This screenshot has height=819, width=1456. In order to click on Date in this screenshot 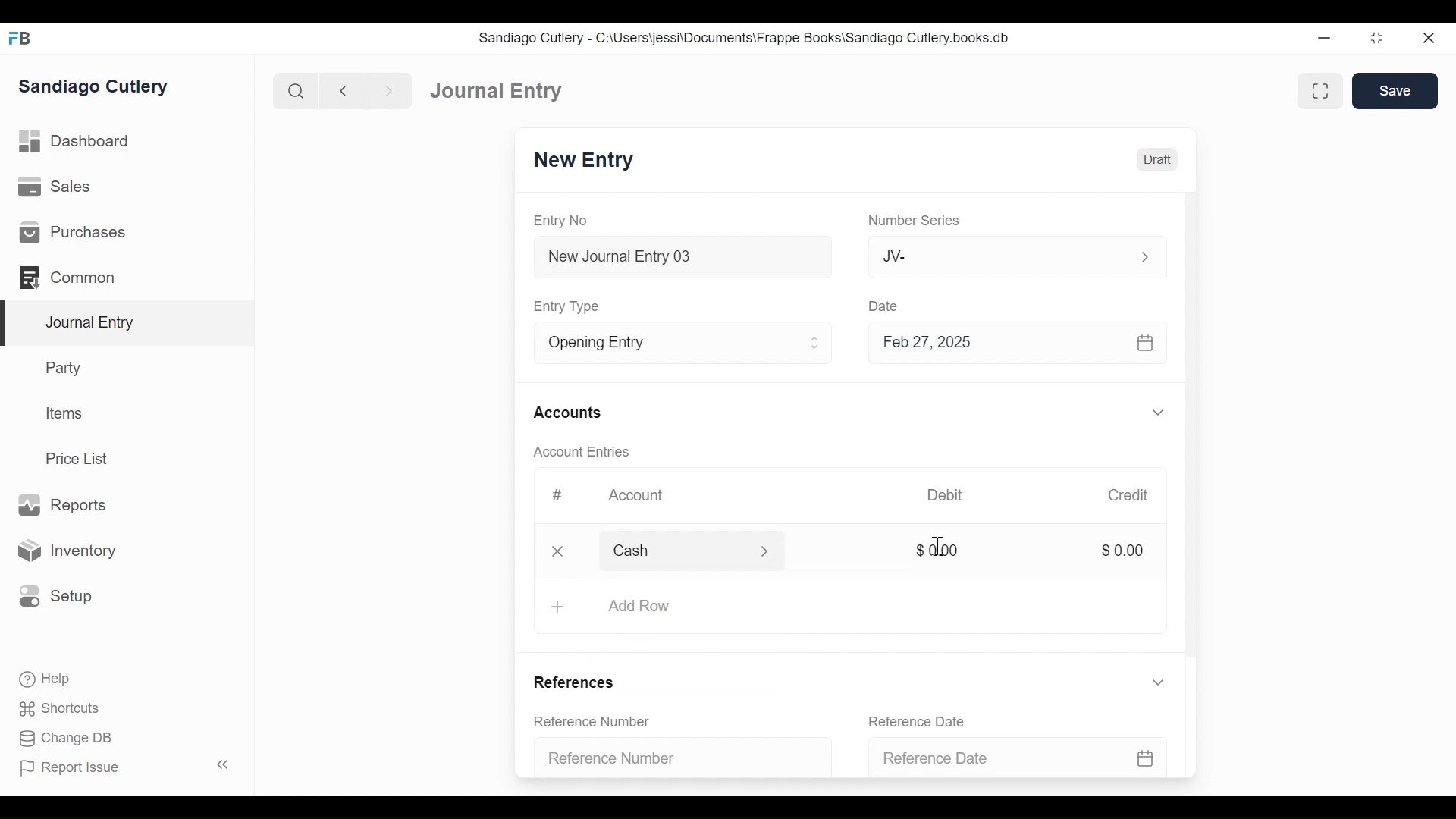, I will do `click(886, 306)`.